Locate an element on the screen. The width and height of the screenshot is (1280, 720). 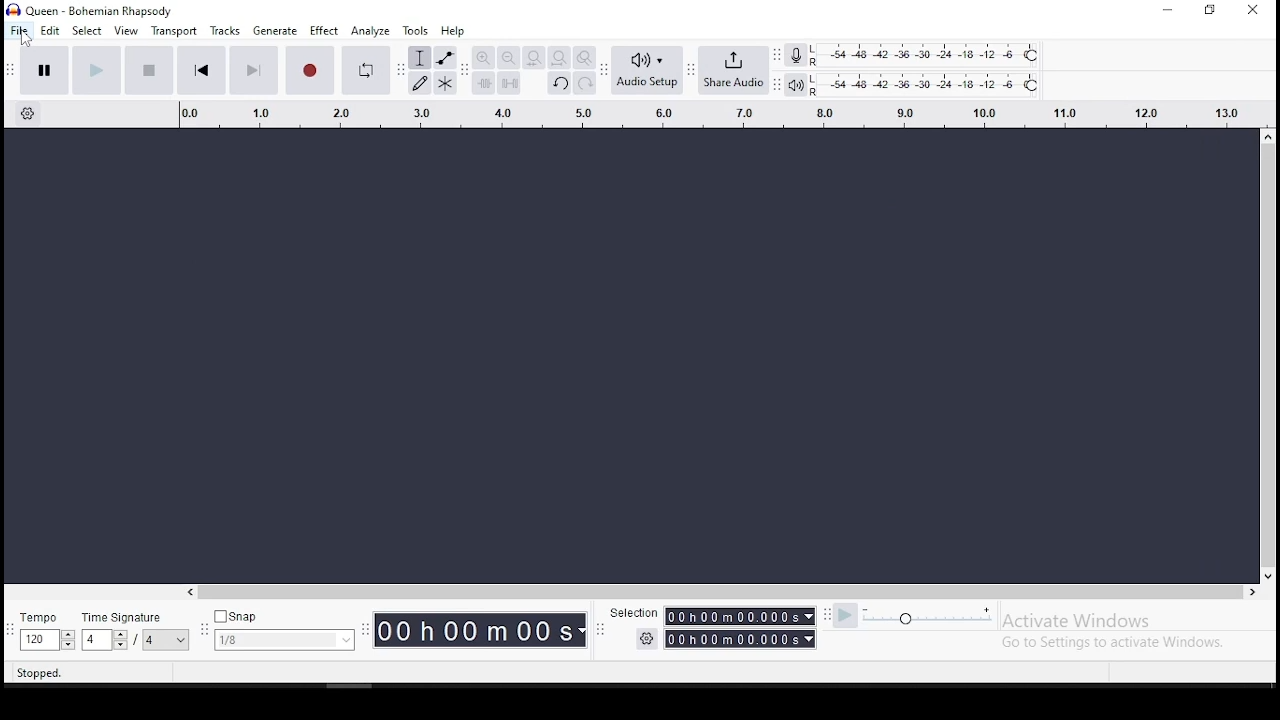
scroll bar is located at coordinates (1272, 354).